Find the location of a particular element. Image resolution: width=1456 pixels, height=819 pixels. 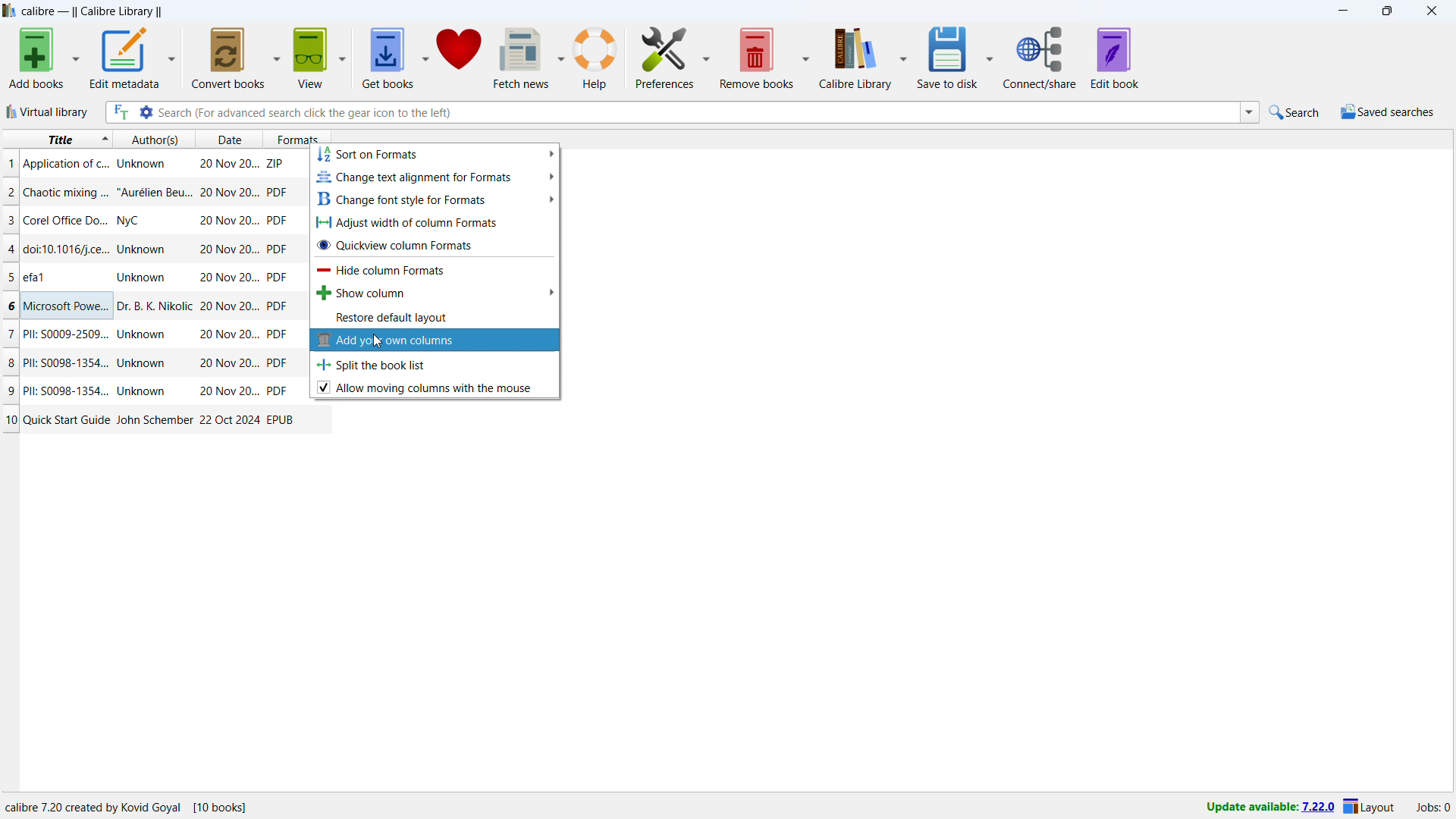

change text alignment for formats is located at coordinates (435, 177).